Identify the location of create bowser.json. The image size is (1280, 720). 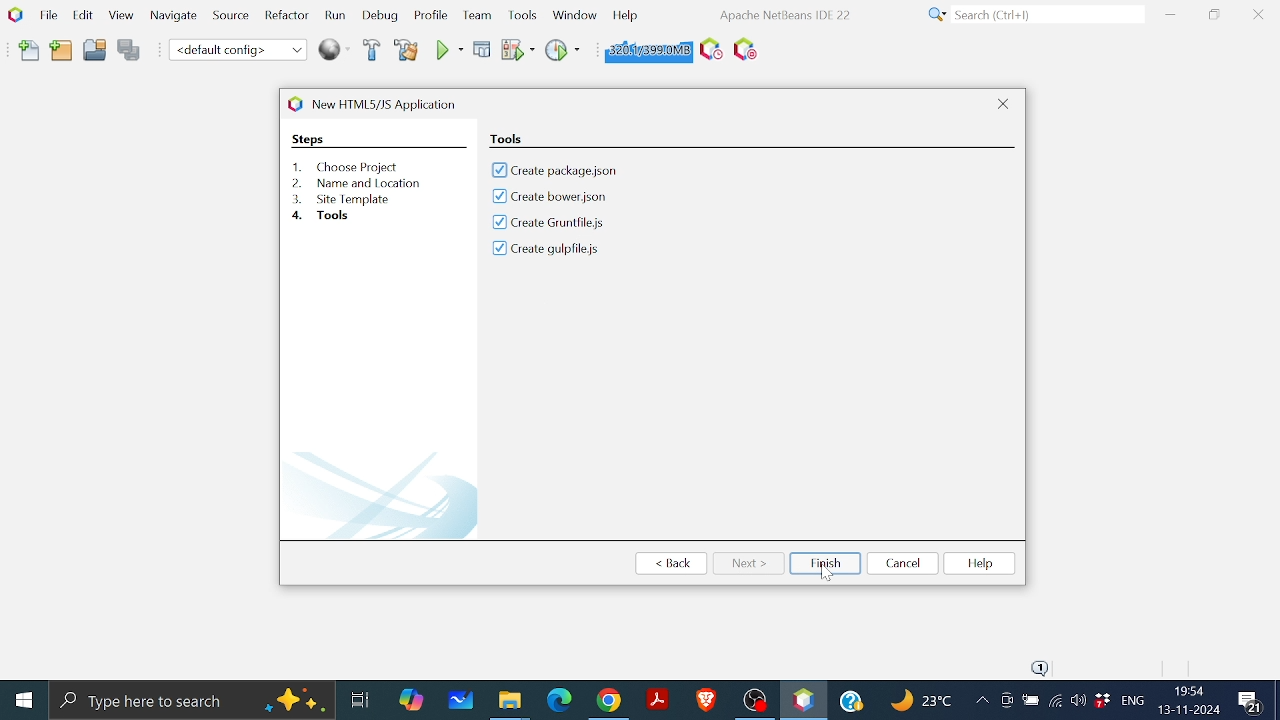
(570, 196).